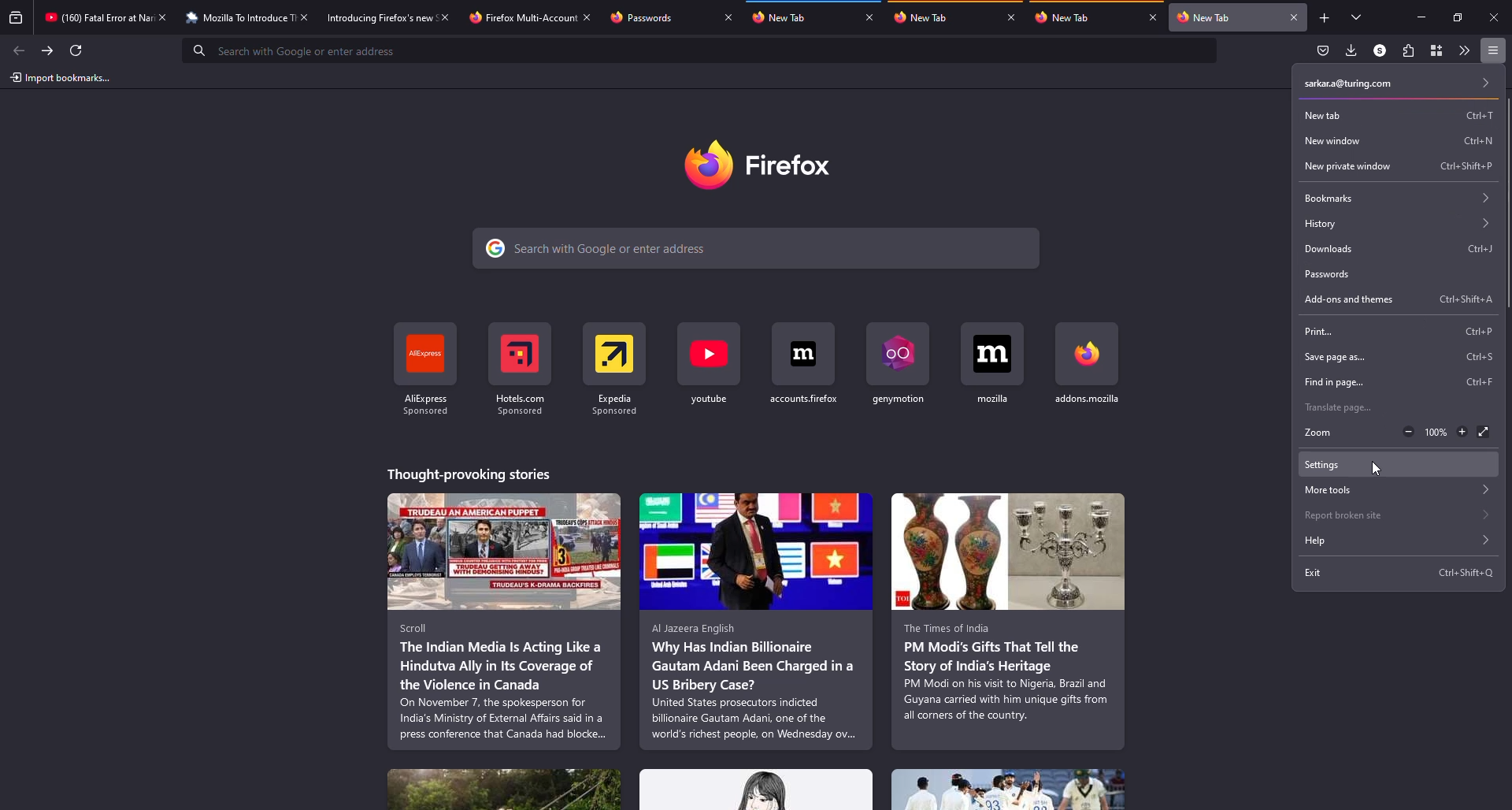  Describe the element at coordinates (1397, 333) in the screenshot. I see `print` at that location.